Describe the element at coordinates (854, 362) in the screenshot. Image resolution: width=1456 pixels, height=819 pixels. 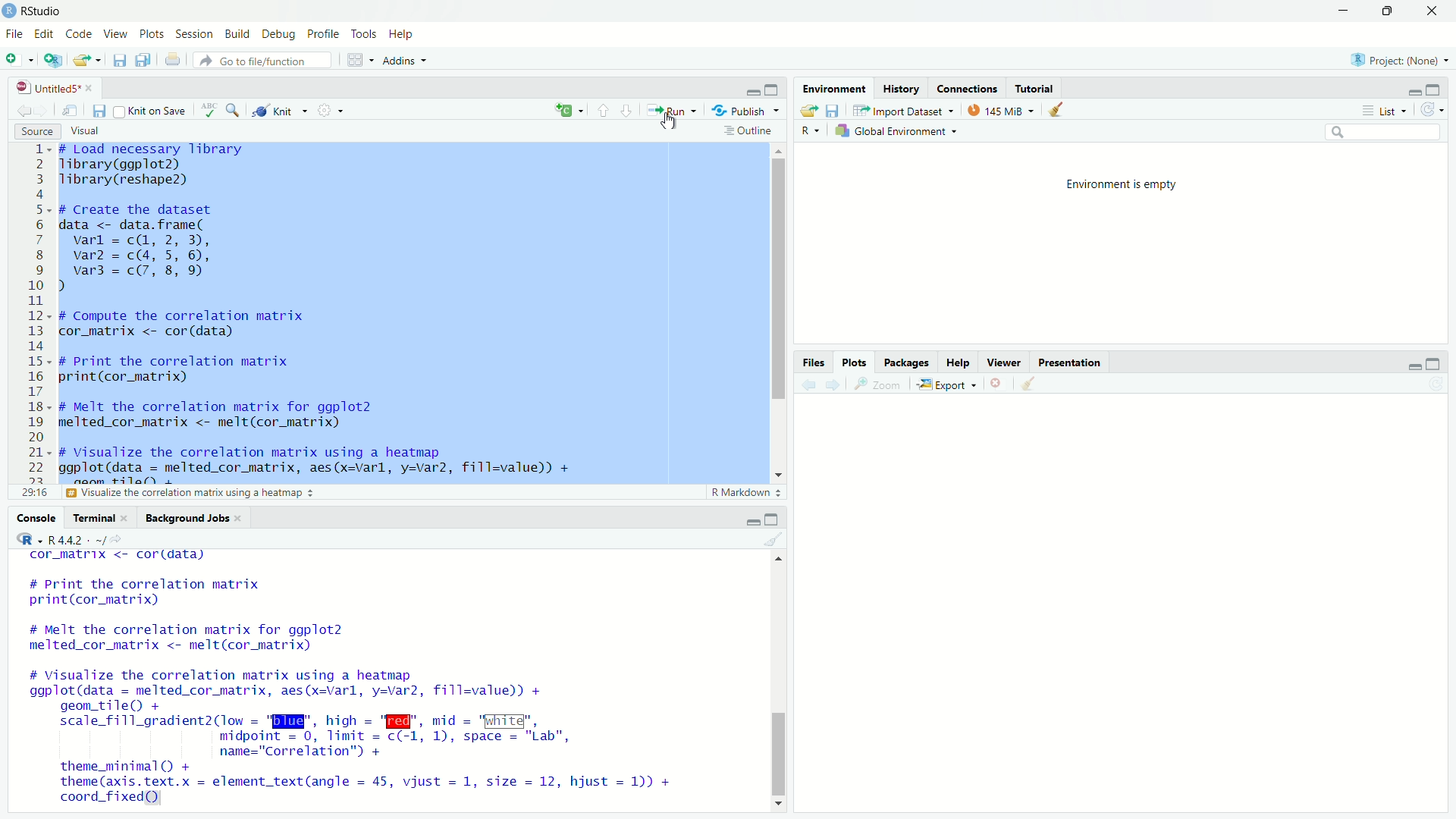
I see `plots` at that location.